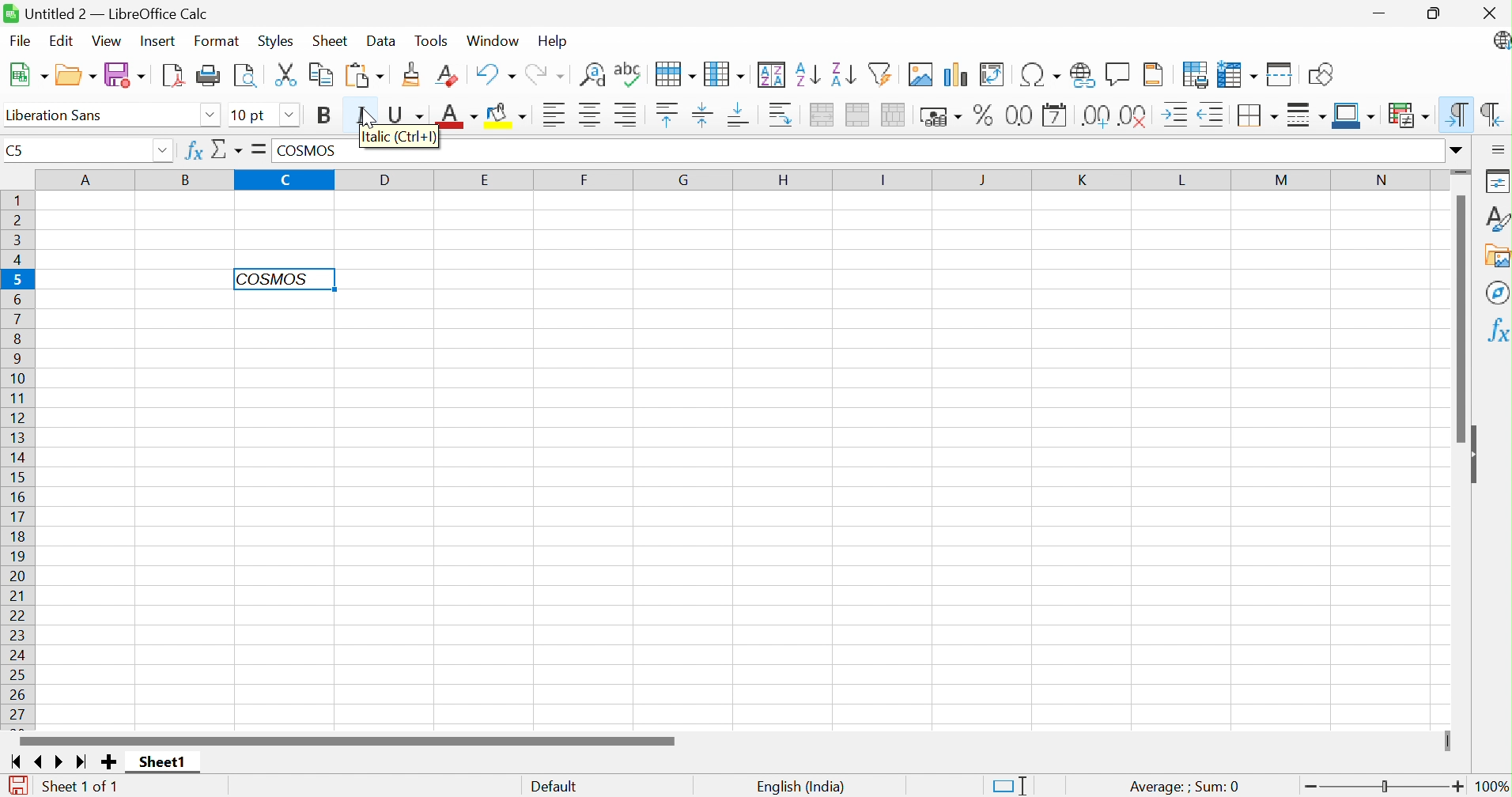  I want to click on Italic (Ctrl+I), so click(401, 138).